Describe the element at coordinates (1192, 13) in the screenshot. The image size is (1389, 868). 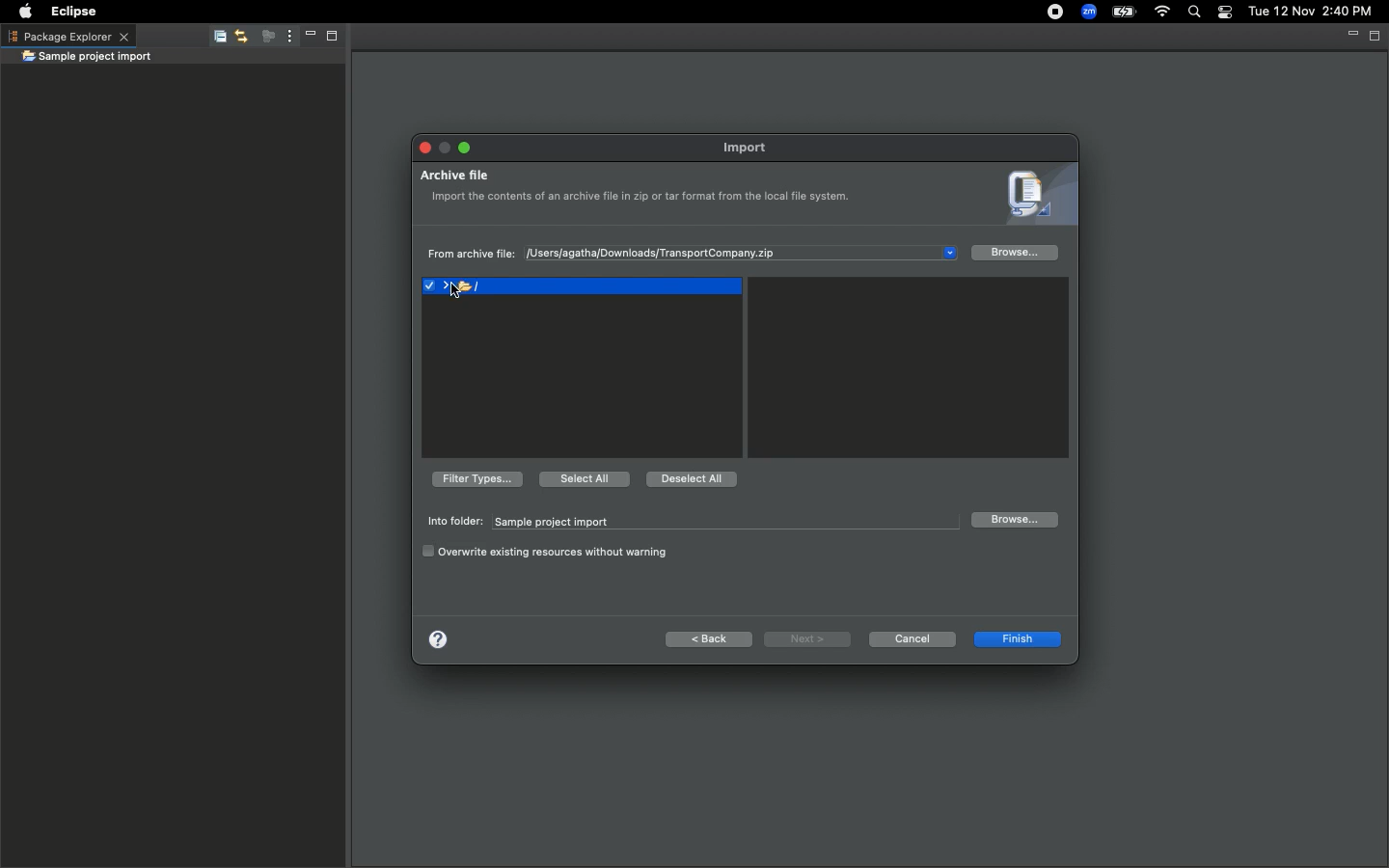
I see `Search` at that location.